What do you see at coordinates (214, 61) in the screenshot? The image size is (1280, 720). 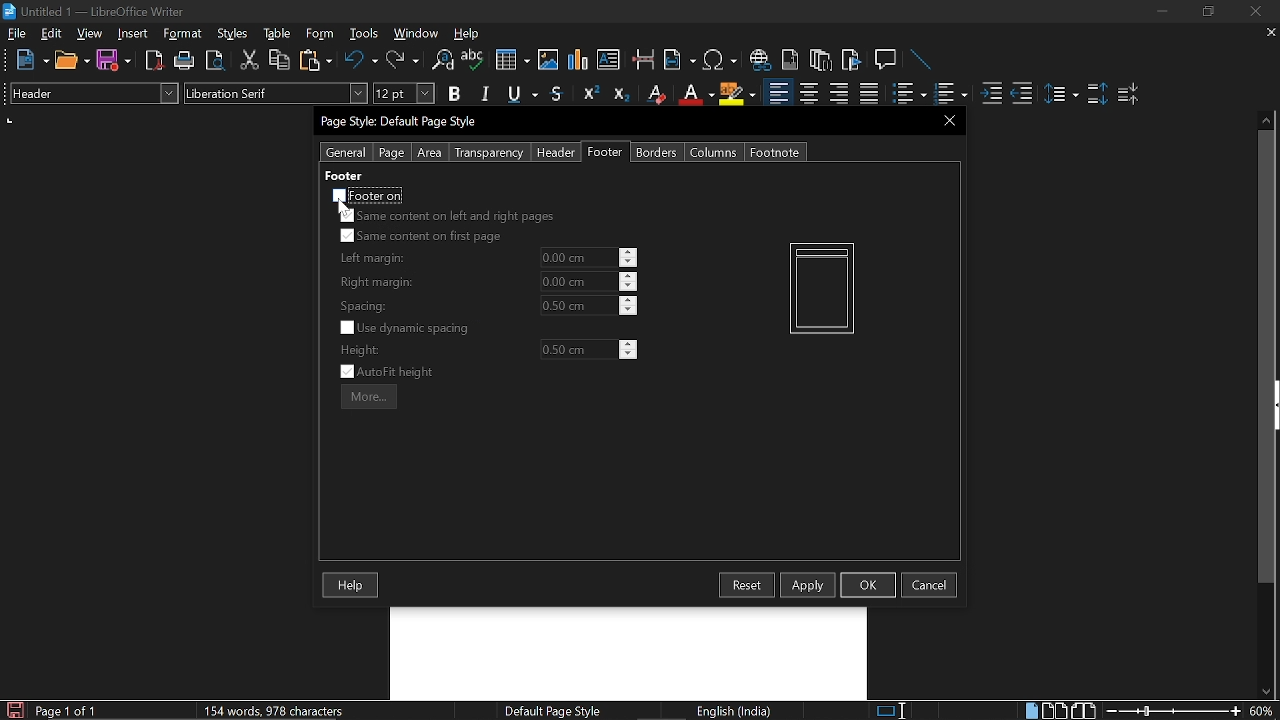 I see `Toggle preview` at bounding box center [214, 61].